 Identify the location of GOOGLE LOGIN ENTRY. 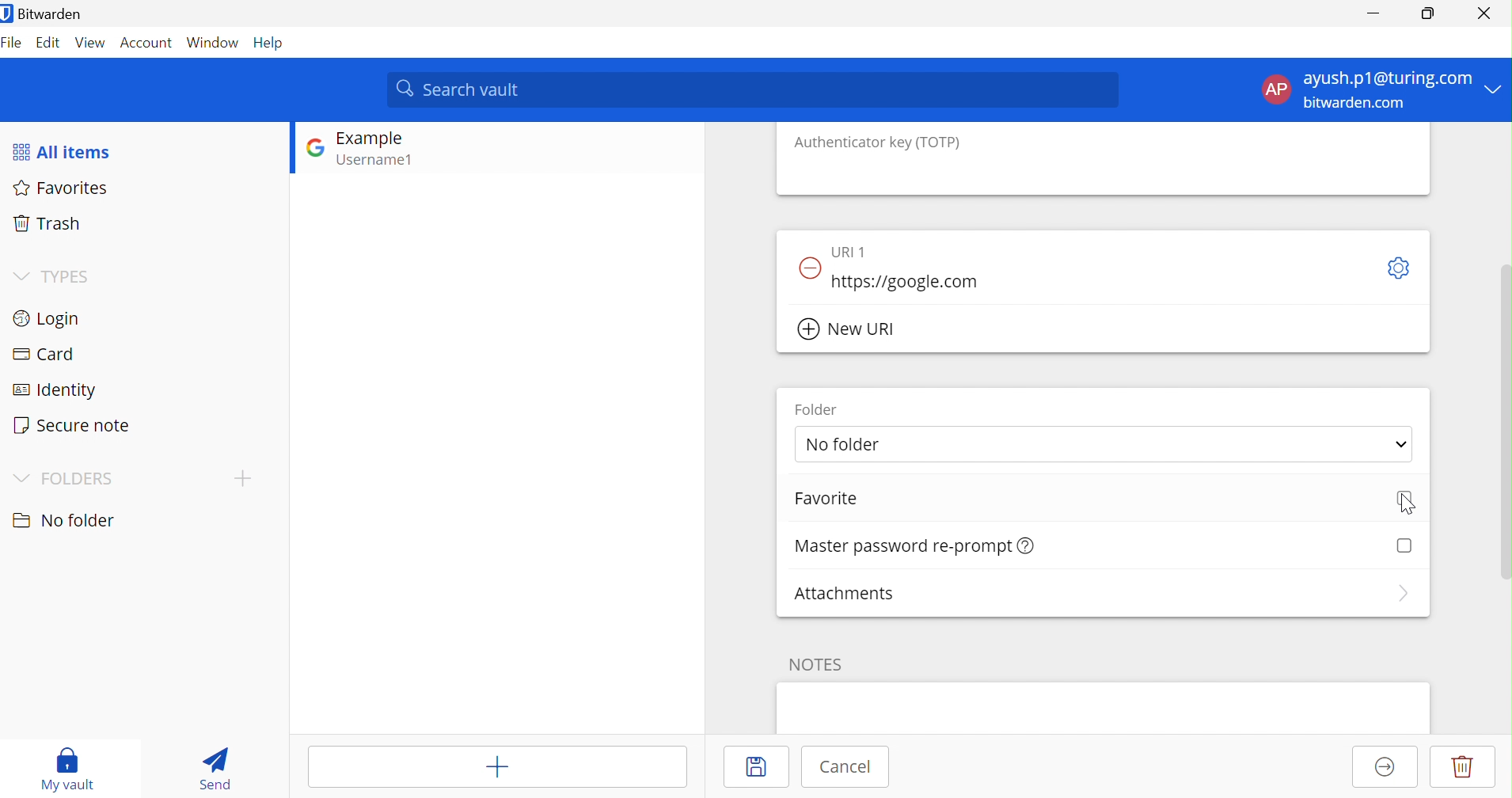
(394, 151).